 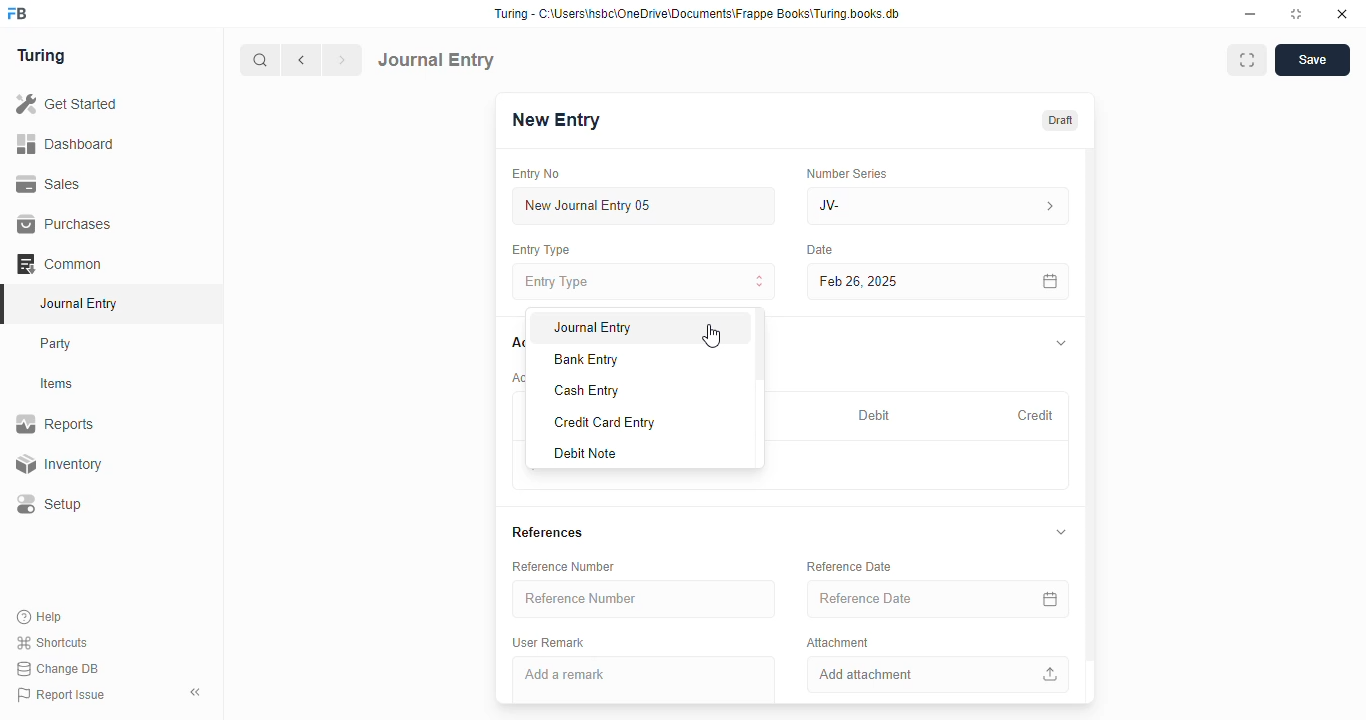 I want to click on bank entry , so click(x=586, y=360).